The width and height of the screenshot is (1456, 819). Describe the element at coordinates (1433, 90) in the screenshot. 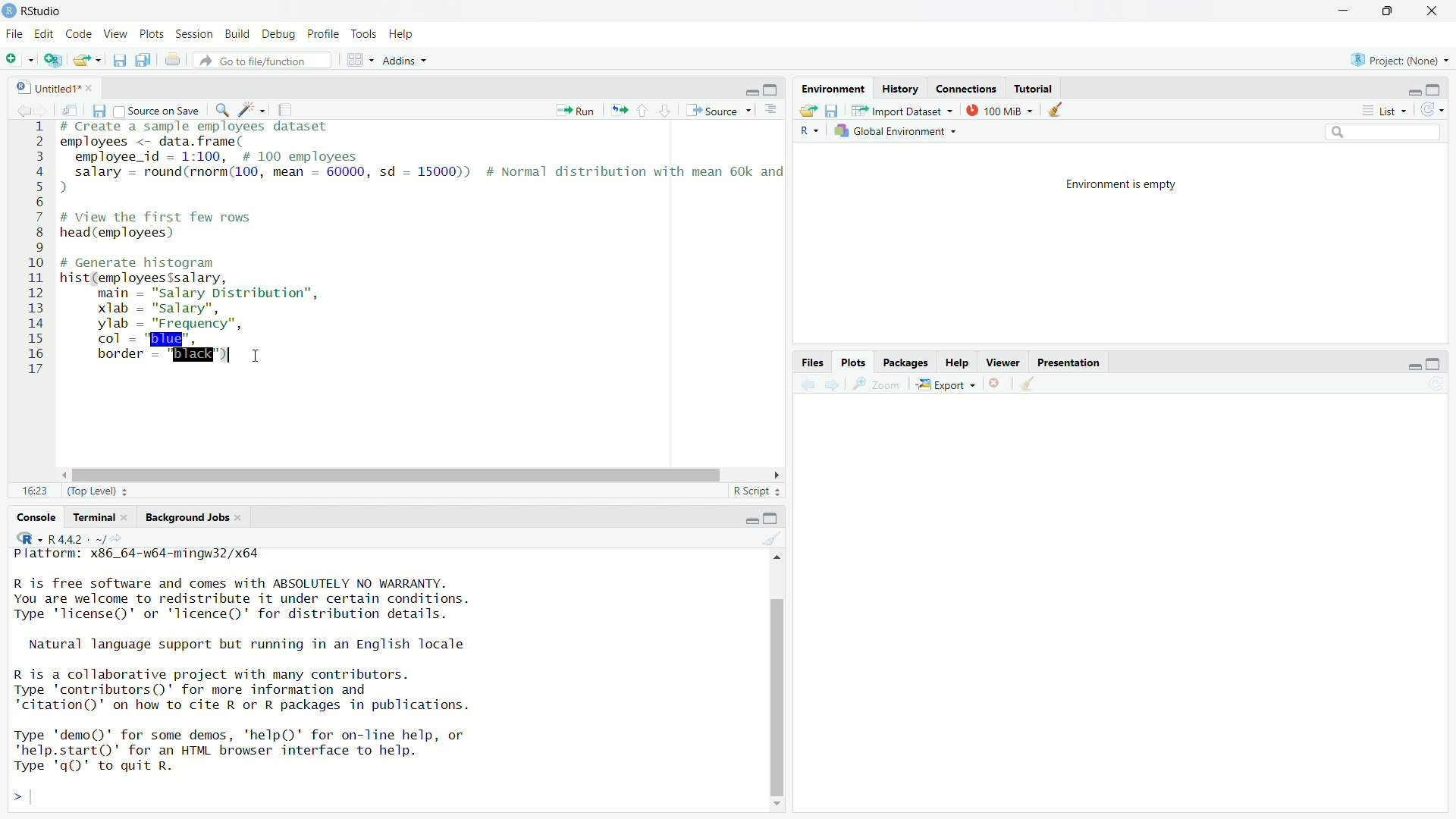

I see `Maximise ` at that location.